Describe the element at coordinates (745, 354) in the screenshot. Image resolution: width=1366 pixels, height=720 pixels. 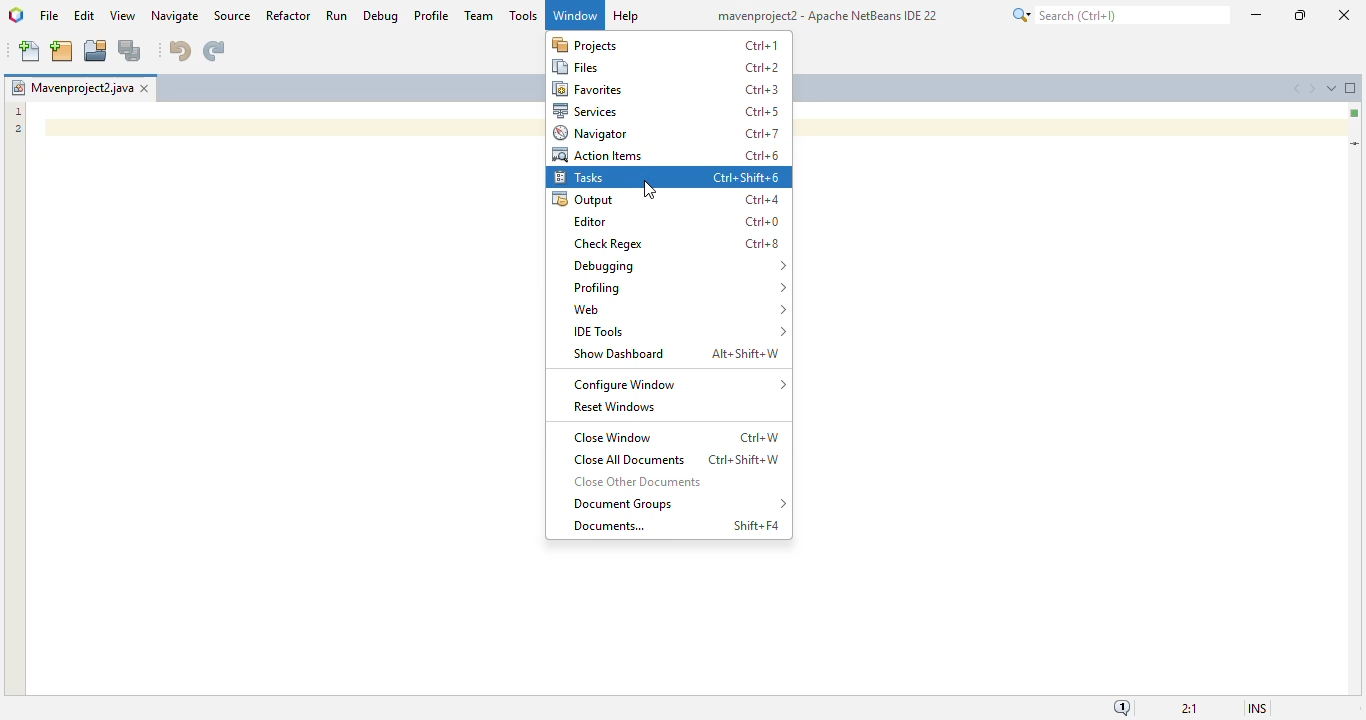
I see `shortcut for show dashboard` at that location.